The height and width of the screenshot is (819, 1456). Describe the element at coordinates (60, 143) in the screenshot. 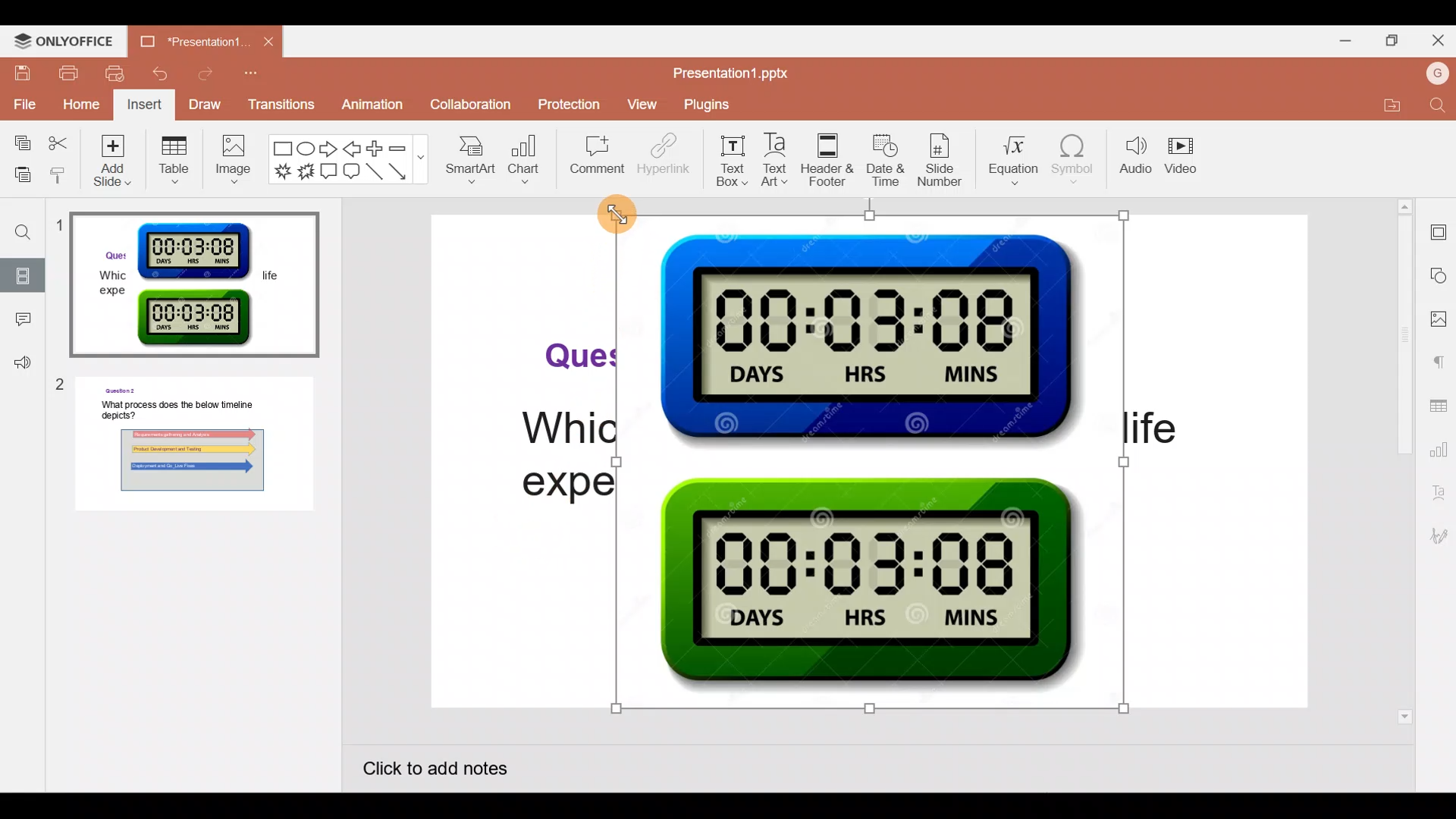

I see `Cut` at that location.